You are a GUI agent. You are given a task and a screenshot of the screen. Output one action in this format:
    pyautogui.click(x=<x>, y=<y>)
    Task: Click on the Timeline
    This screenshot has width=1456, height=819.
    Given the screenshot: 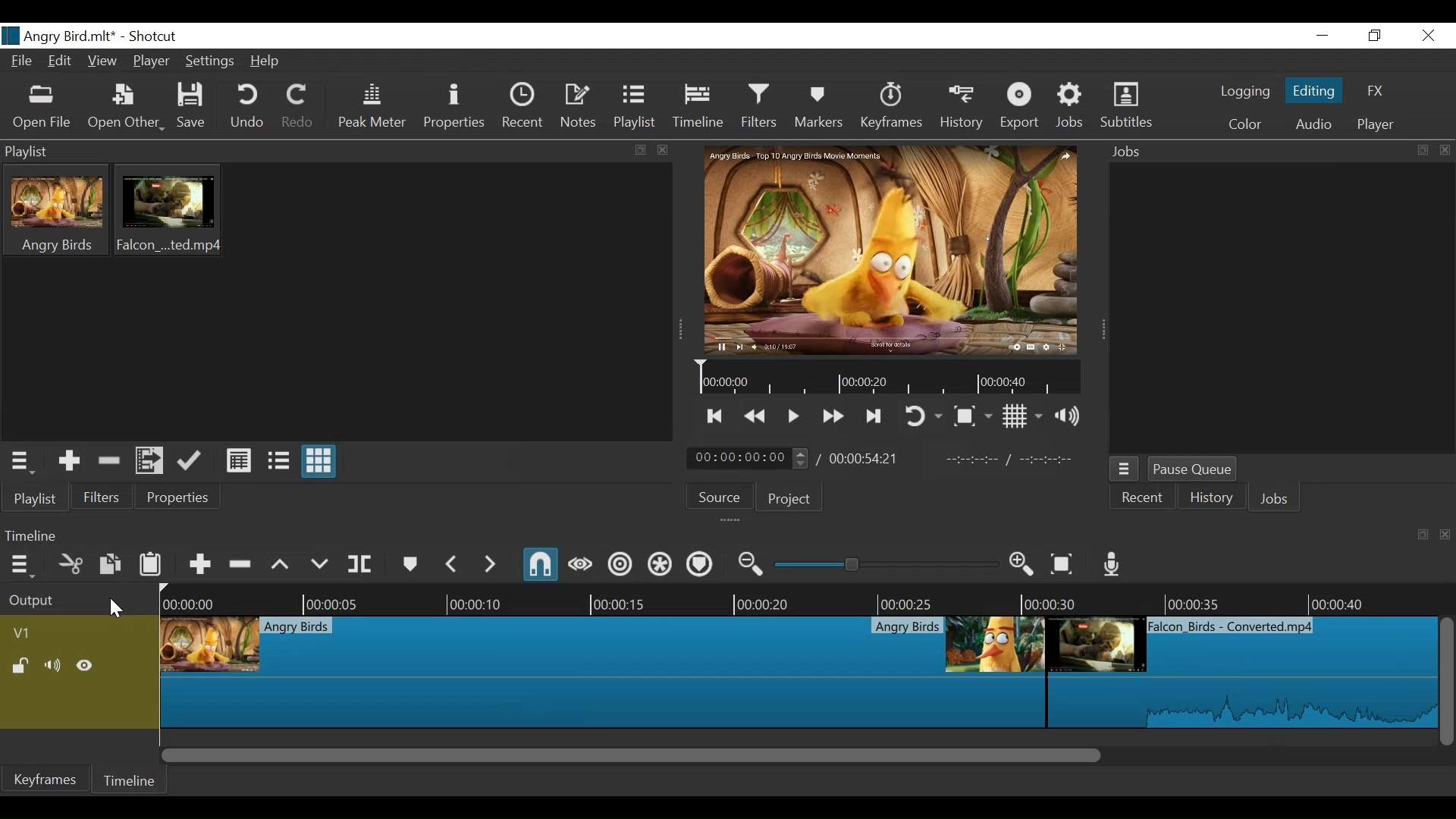 What is the action you would take?
    pyautogui.click(x=130, y=780)
    